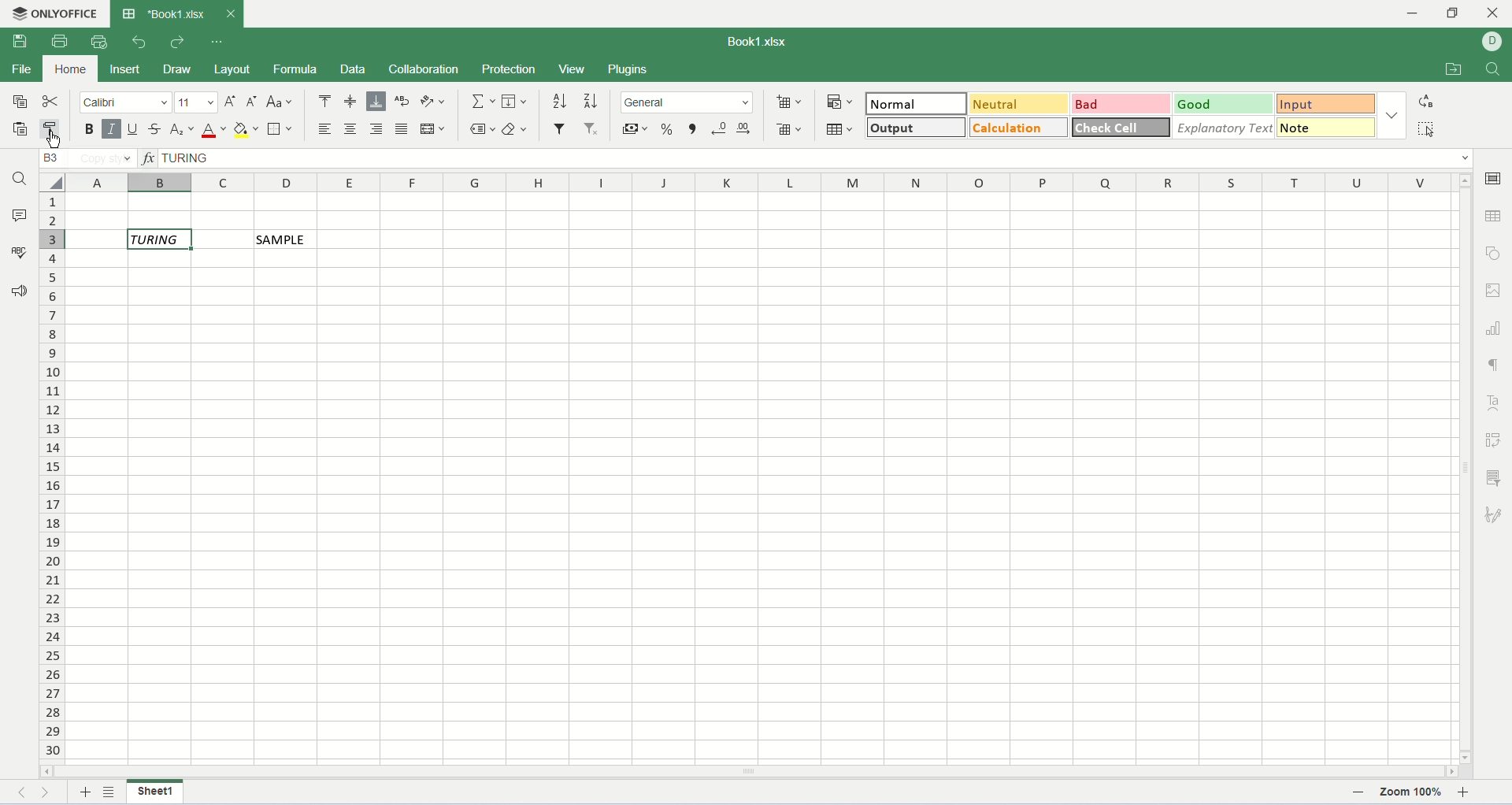 The image size is (1512, 805). What do you see at coordinates (687, 102) in the screenshot?
I see `number format` at bounding box center [687, 102].